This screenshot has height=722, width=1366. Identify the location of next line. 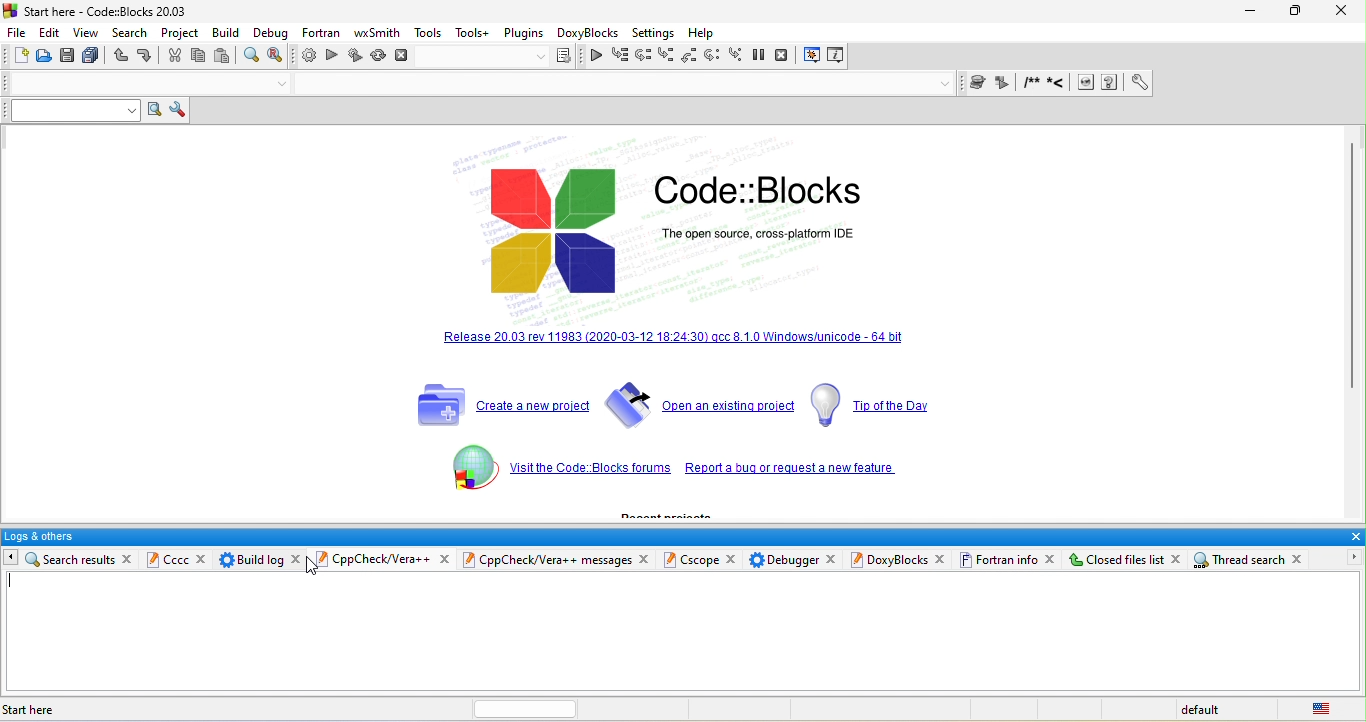
(642, 55).